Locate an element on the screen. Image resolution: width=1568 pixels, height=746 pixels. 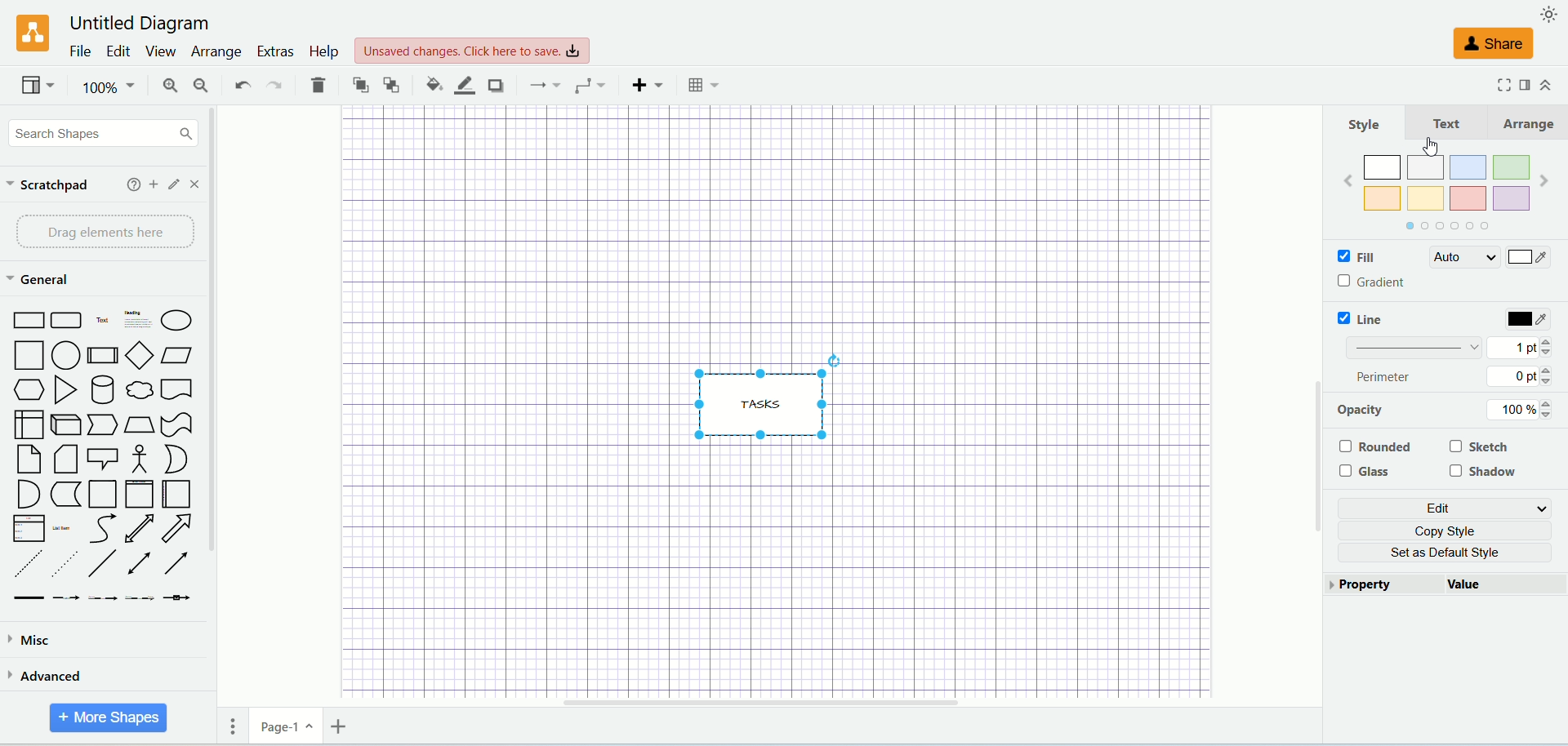
Rounded Rectangle is located at coordinates (68, 318).